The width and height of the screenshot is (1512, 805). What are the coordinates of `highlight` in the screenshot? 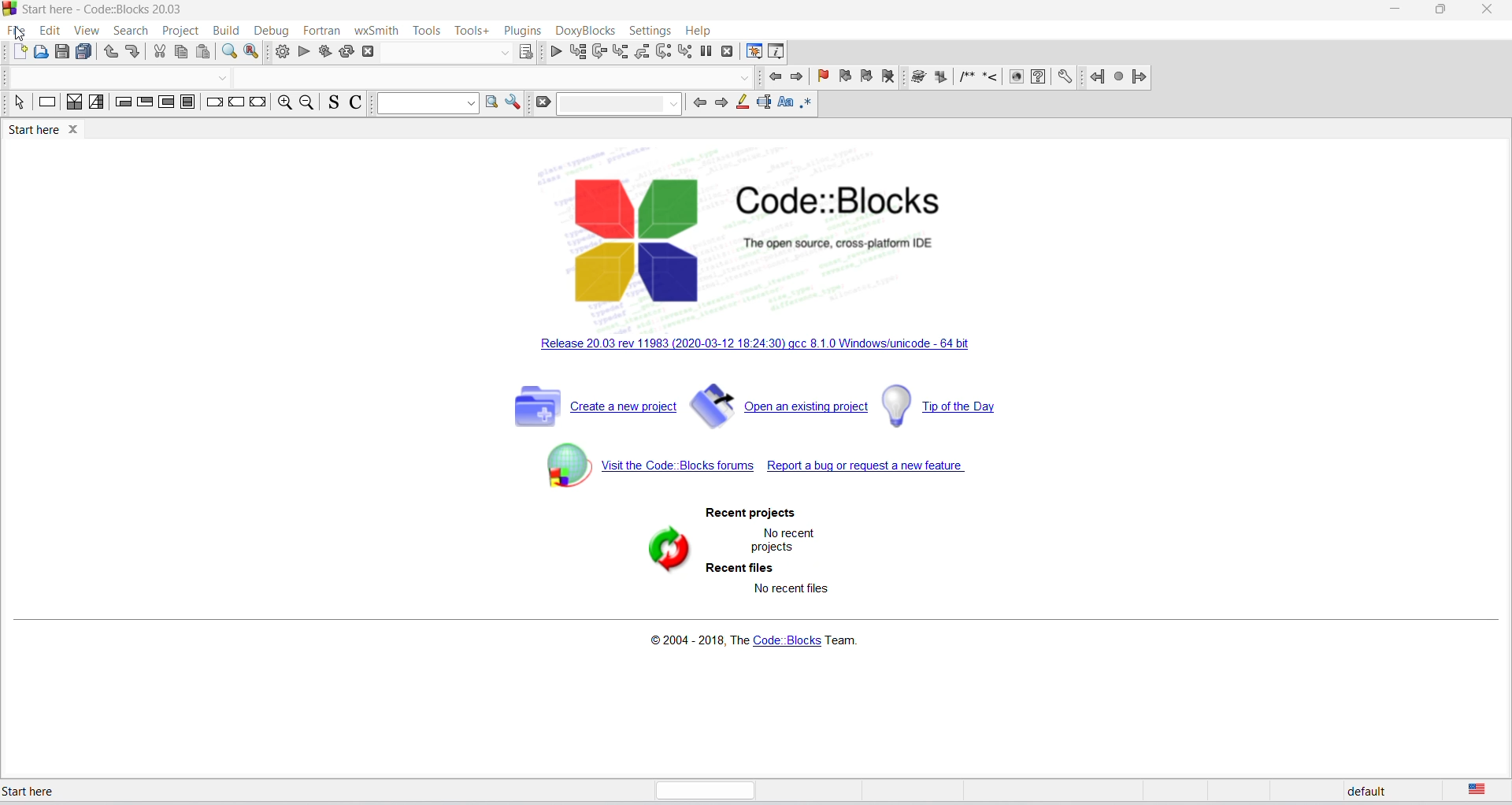 It's located at (745, 104).